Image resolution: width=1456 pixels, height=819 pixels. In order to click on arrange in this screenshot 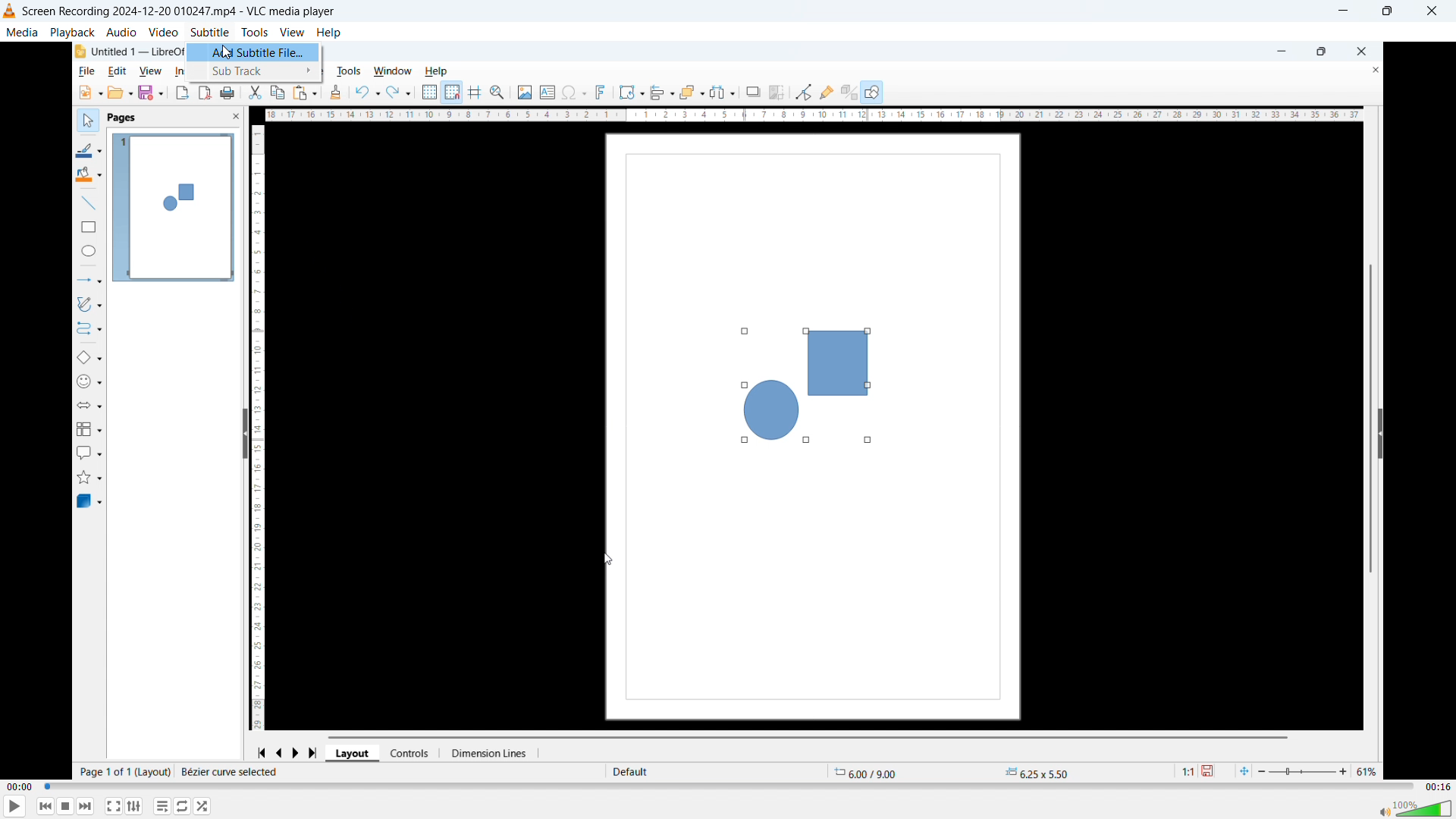, I will do `click(692, 92)`.